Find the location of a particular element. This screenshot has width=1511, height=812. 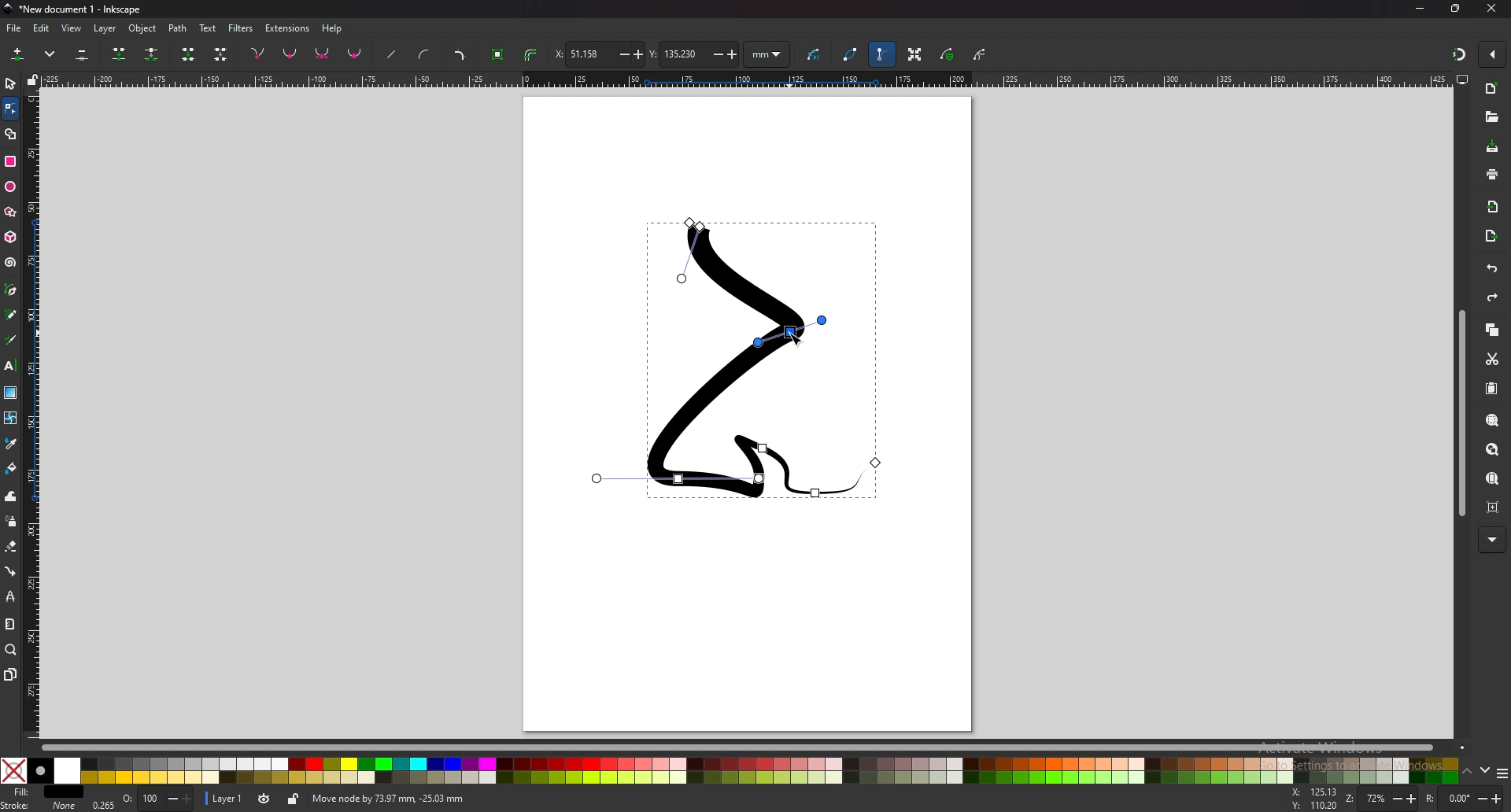

export is located at coordinates (1492, 235).